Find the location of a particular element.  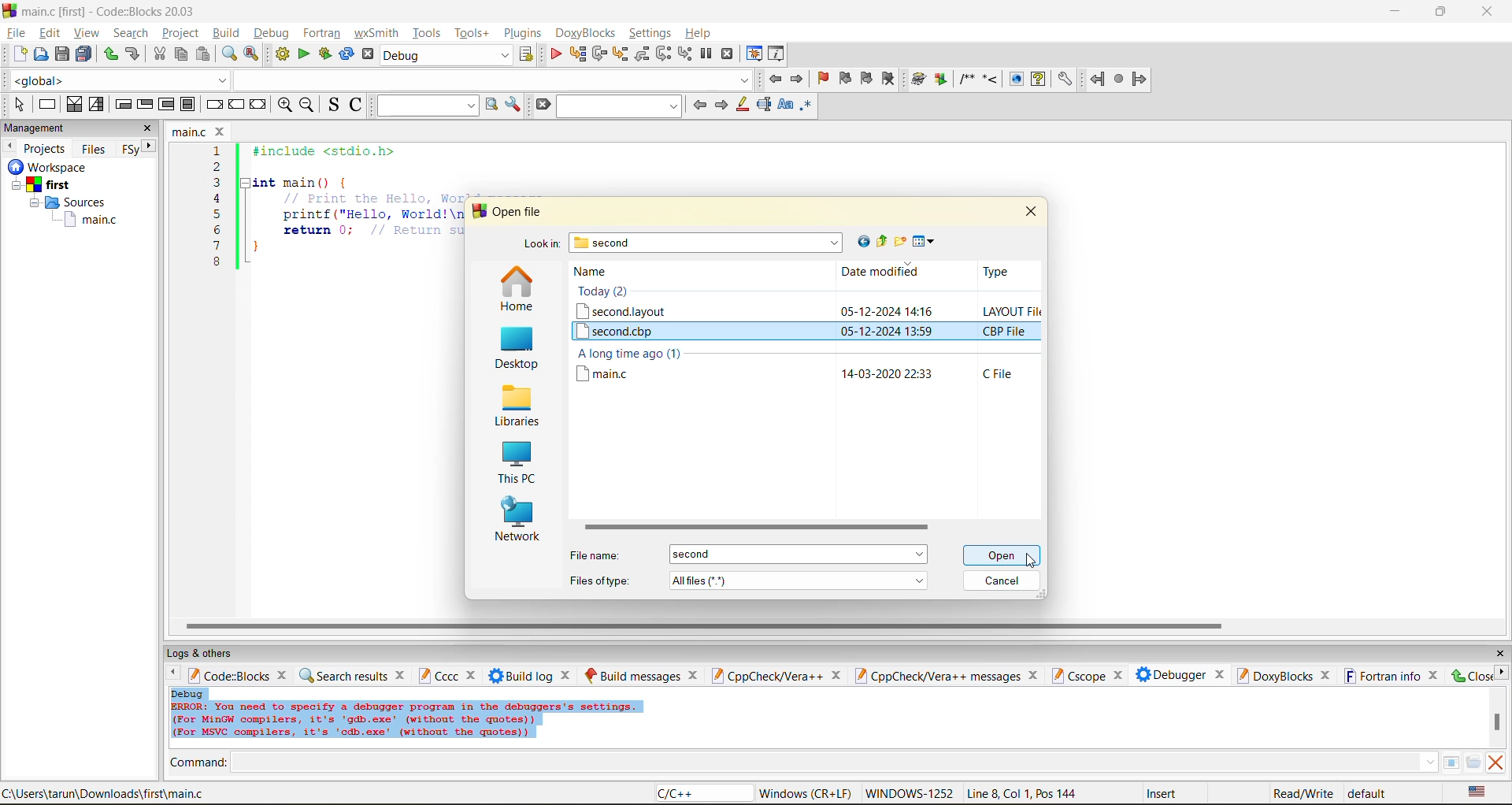

forward is located at coordinates (1140, 79).